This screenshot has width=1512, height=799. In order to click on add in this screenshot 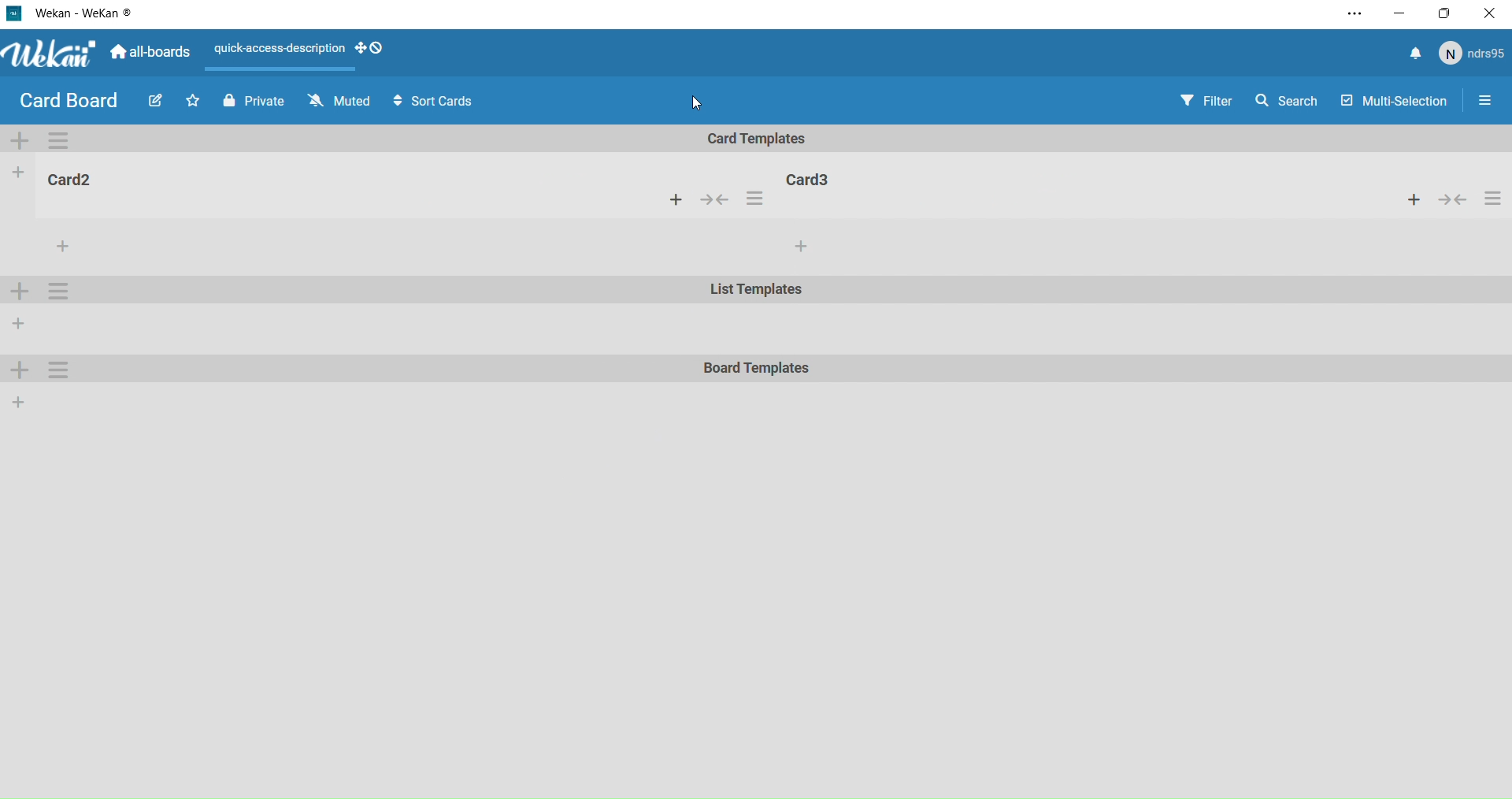, I will do `click(24, 141)`.